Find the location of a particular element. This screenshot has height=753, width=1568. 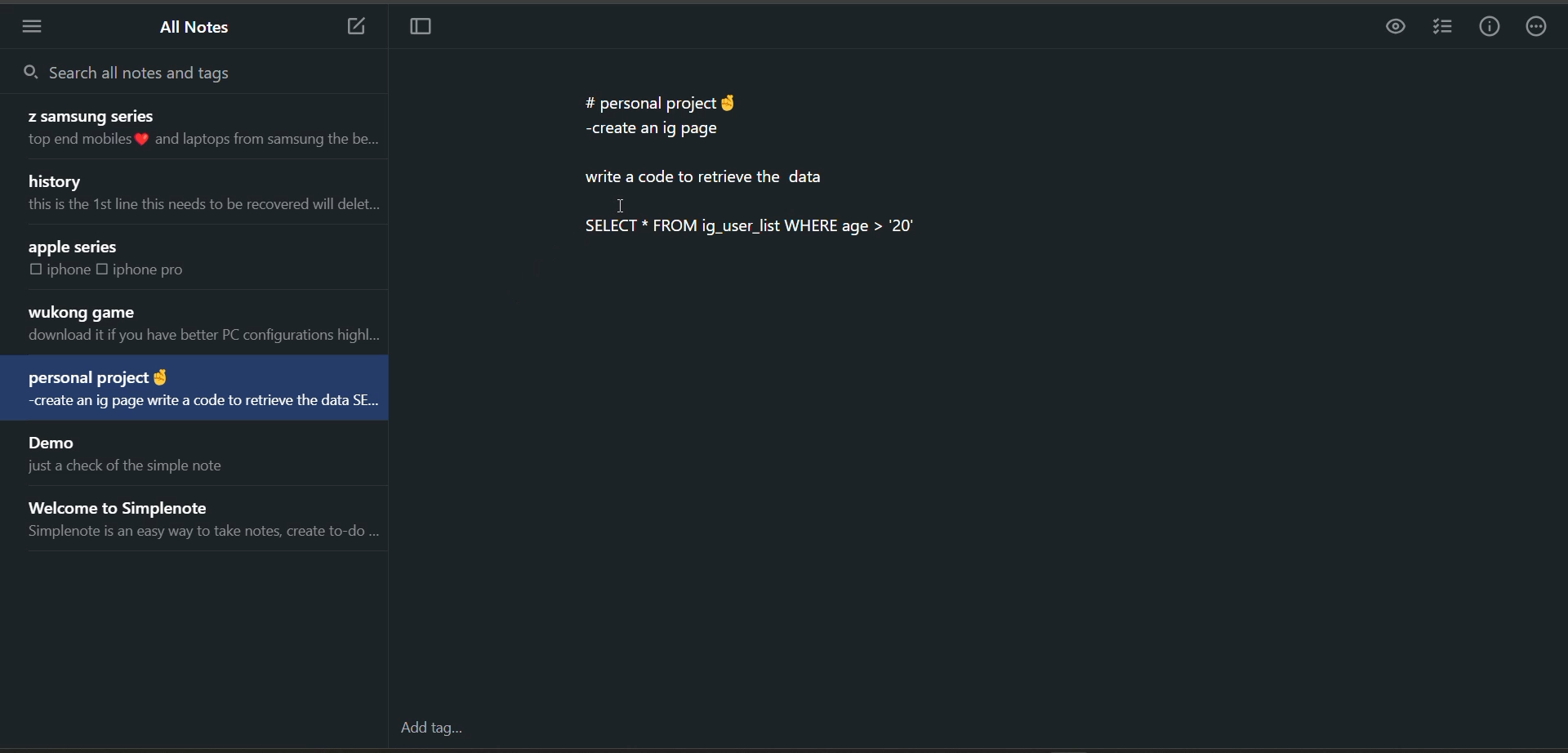

note title  and preview is located at coordinates (207, 515).